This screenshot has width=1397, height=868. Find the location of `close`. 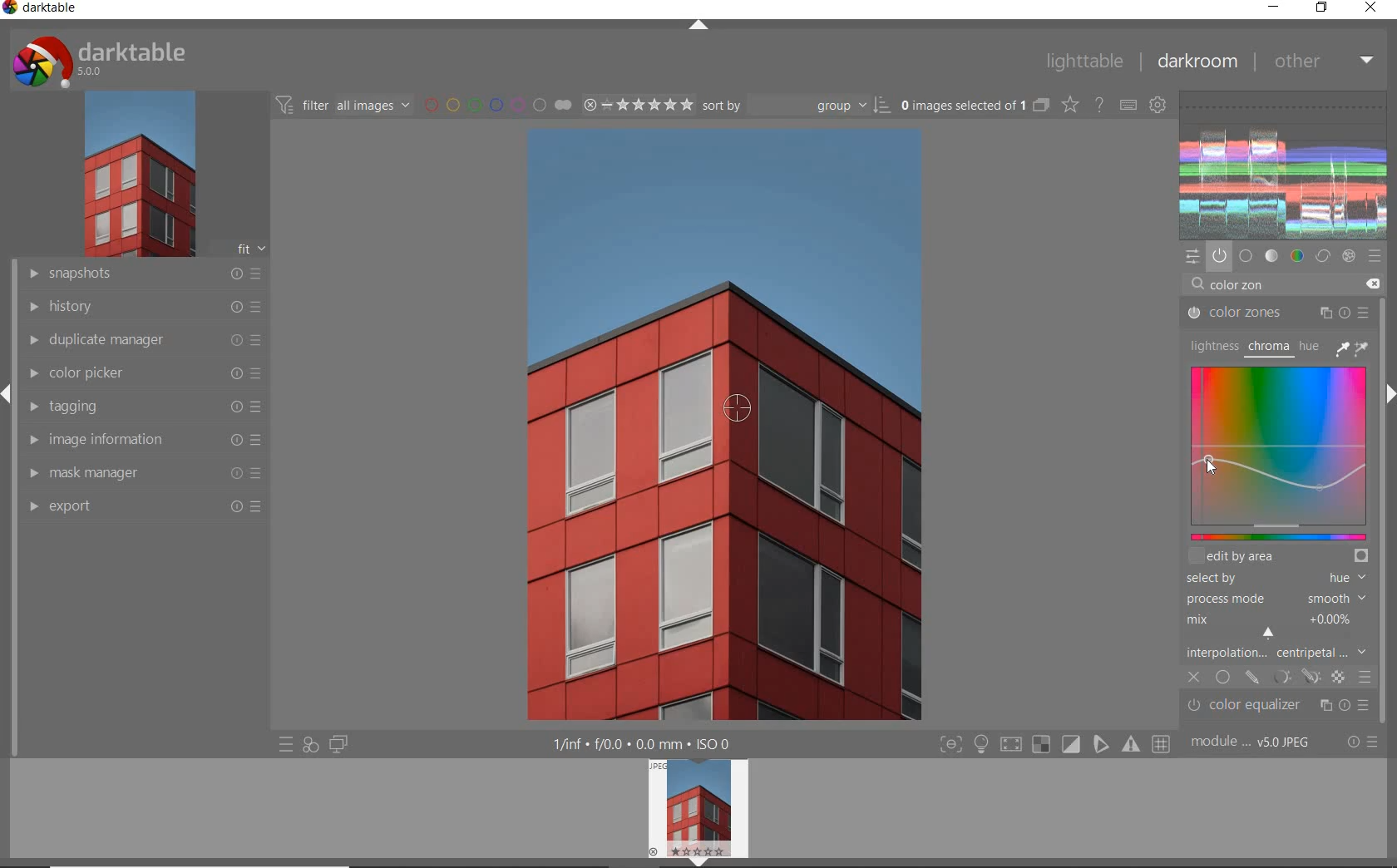

close is located at coordinates (1371, 8).